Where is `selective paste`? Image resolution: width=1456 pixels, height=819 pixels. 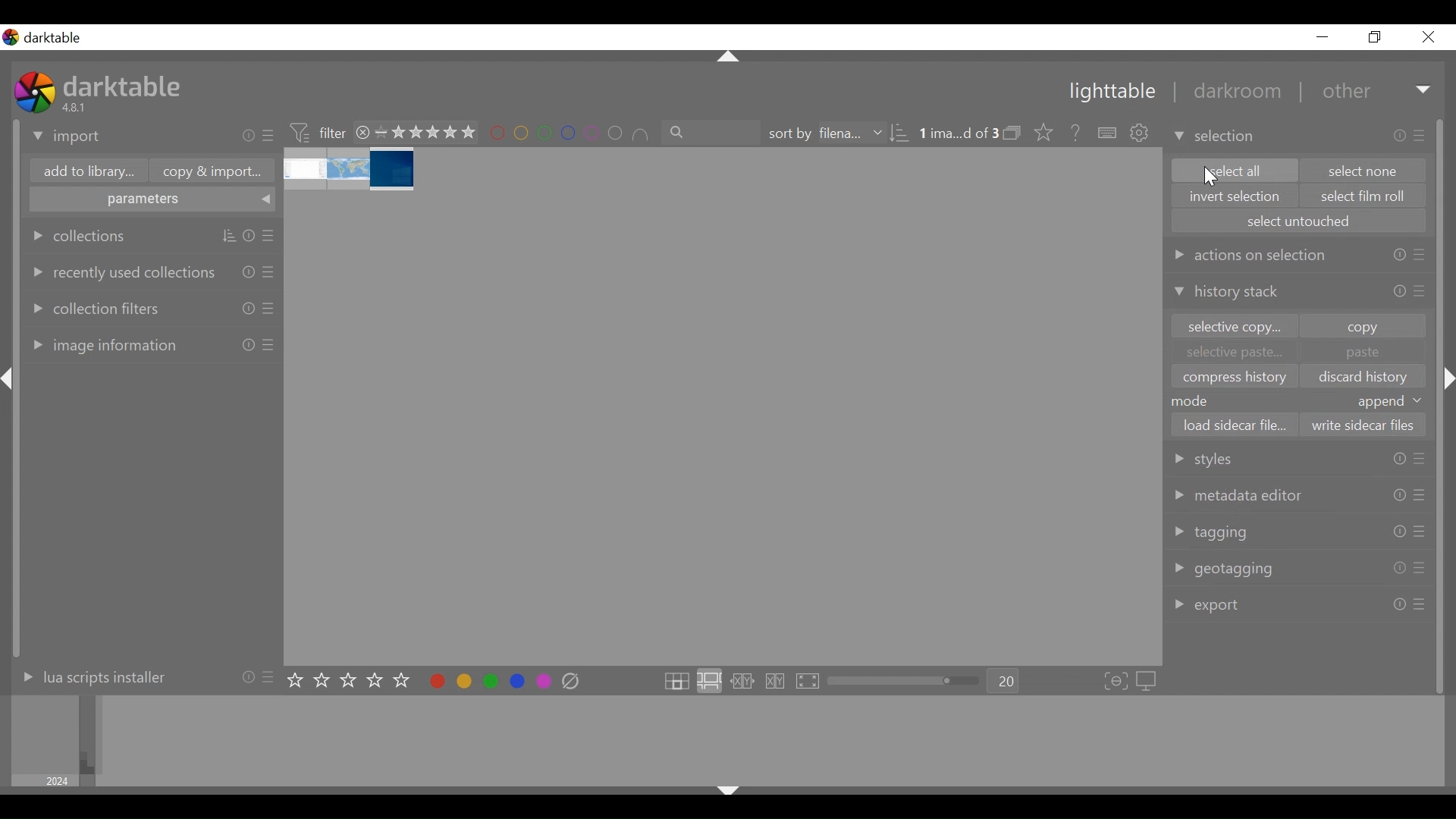
selective paste is located at coordinates (1235, 354).